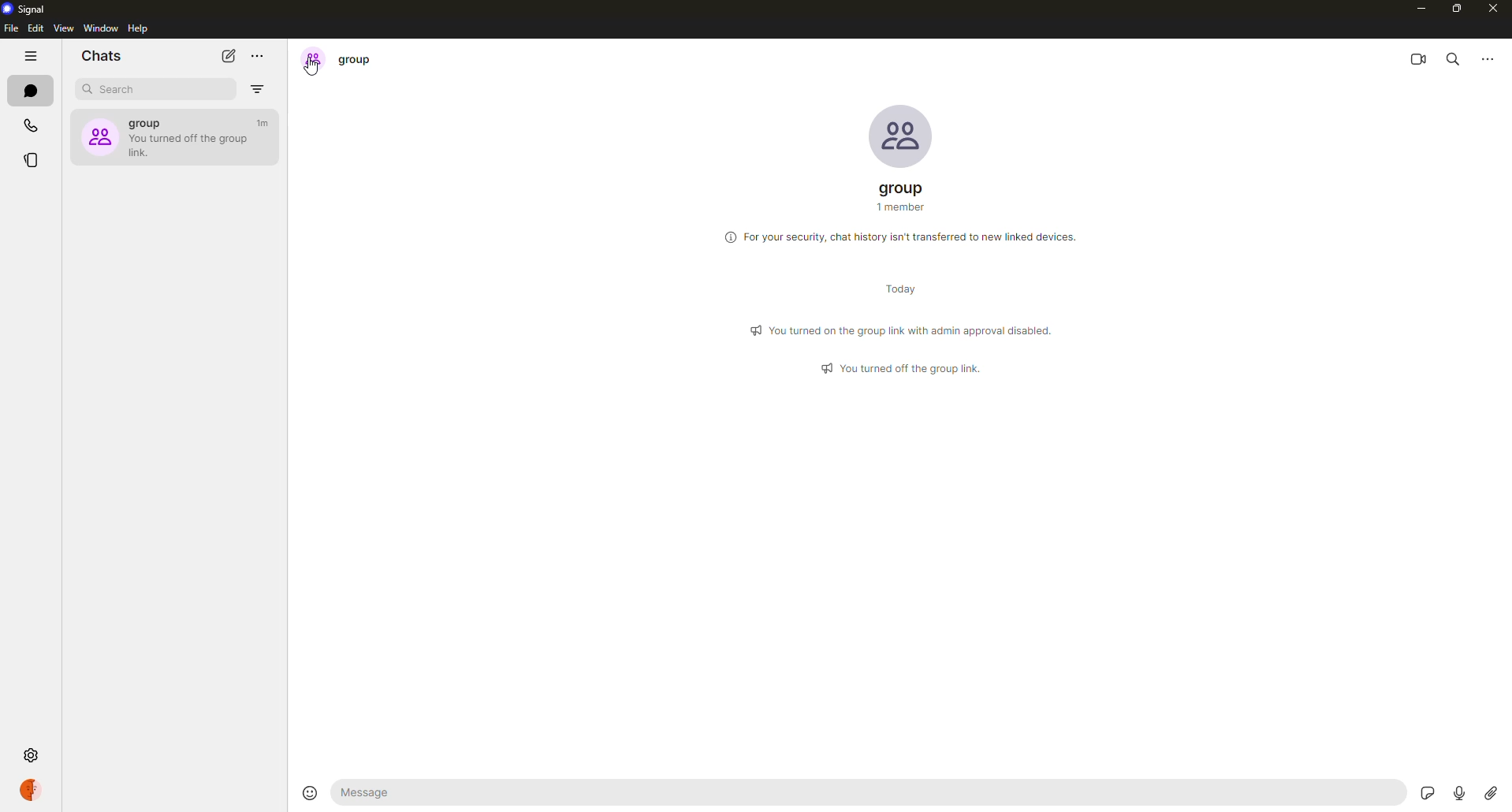 The width and height of the screenshot is (1512, 812). What do you see at coordinates (899, 367) in the screenshot?
I see `info` at bounding box center [899, 367].